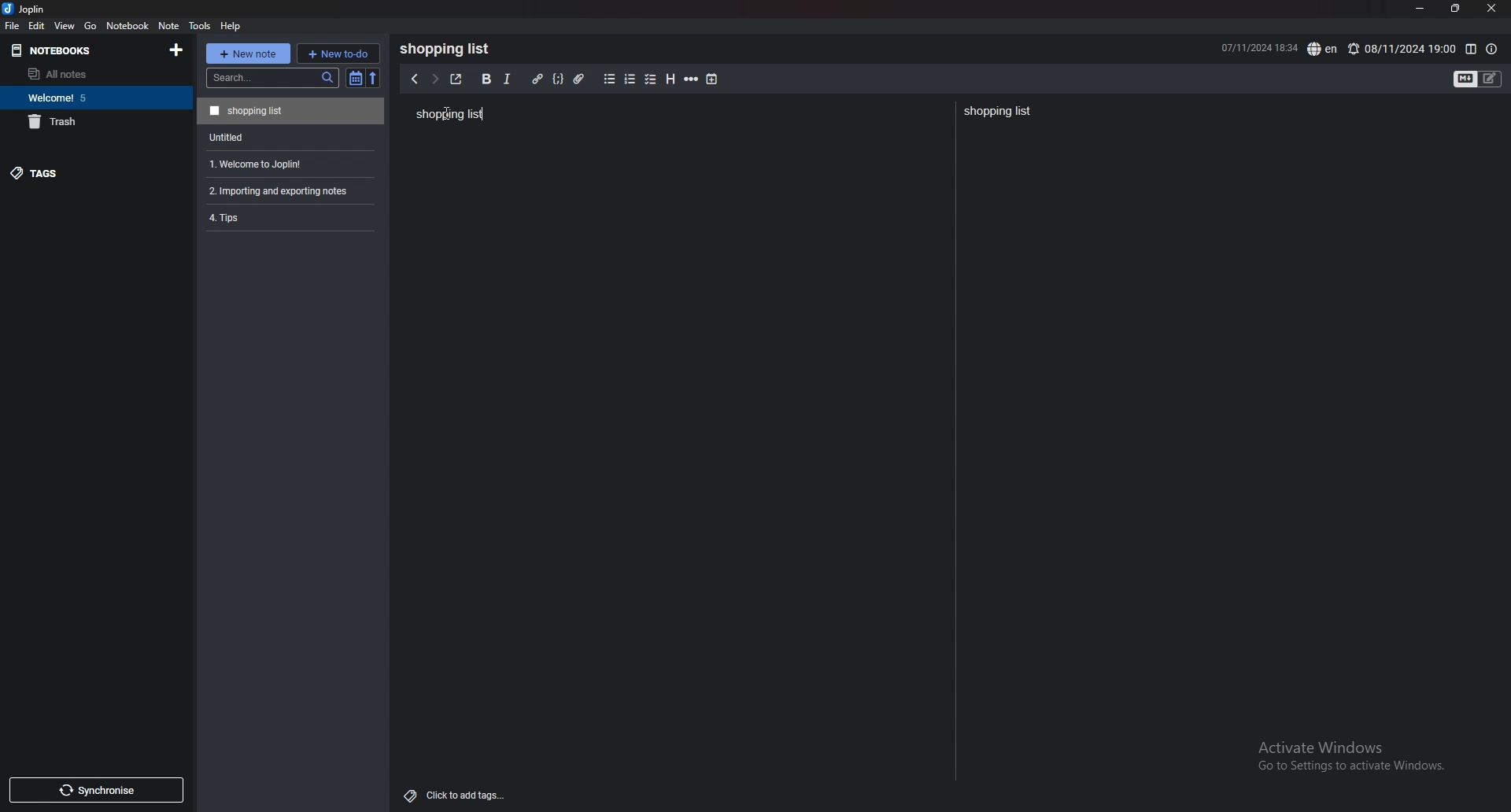 This screenshot has height=812, width=1511. What do you see at coordinates (447, 113) in the screenshot?
I see `Cursor` at bounding box center [447, 113].